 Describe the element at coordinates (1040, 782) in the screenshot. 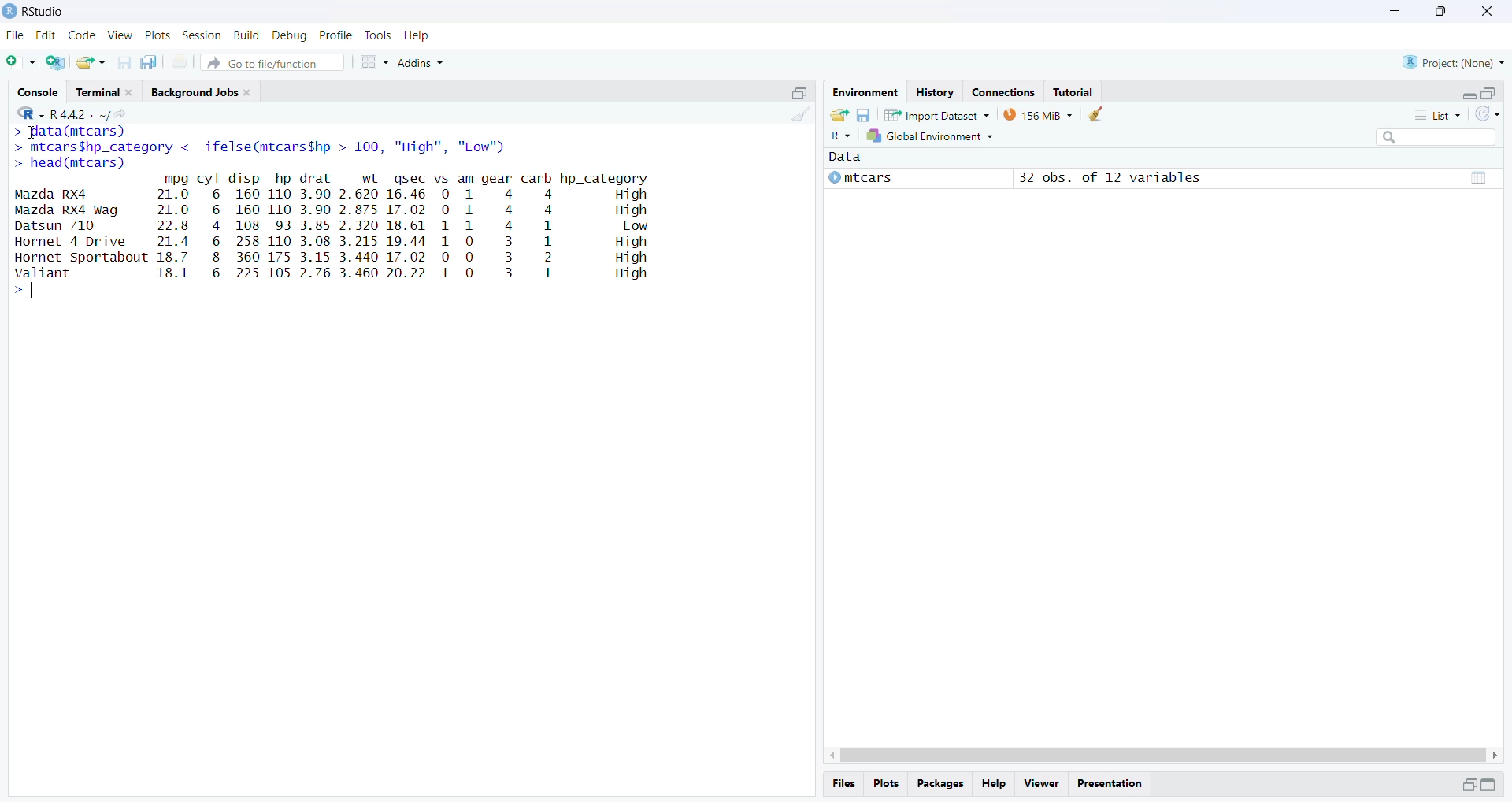

I see `View` at that location.